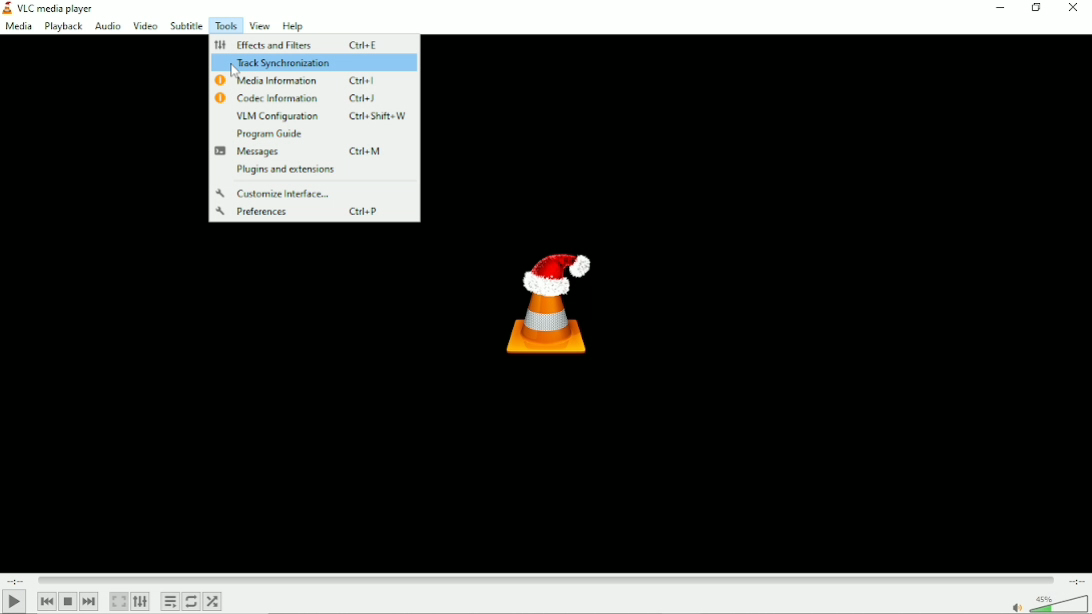 This screenshot has height=614, width=1092. I want to click on Media, so click(18, 27).